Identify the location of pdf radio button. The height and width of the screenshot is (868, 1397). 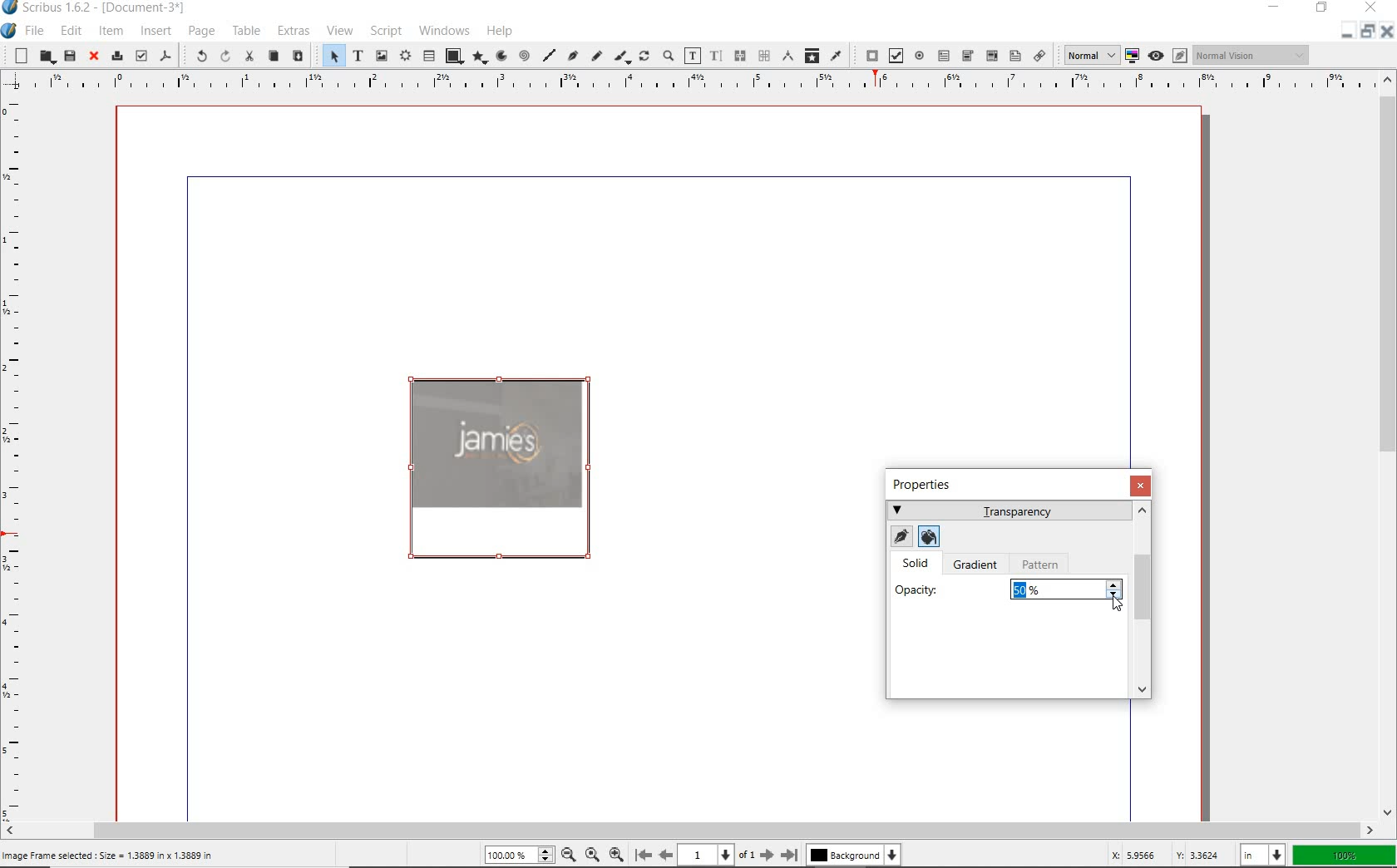
(921, 56).